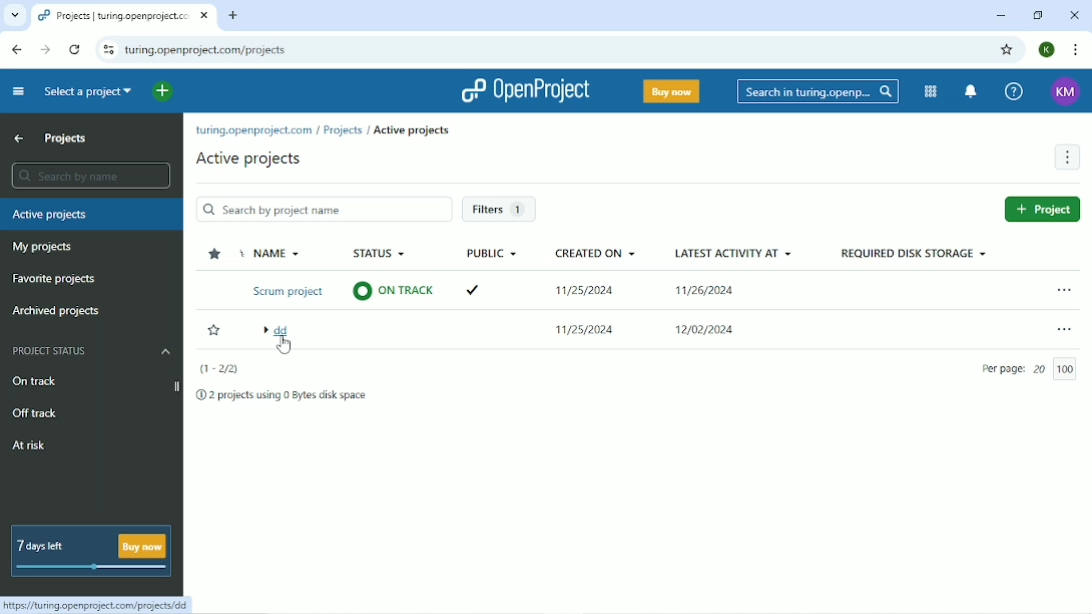  Describe the element at coordinates (89, 552) in the screenshot. I see `7 days left` at that location.